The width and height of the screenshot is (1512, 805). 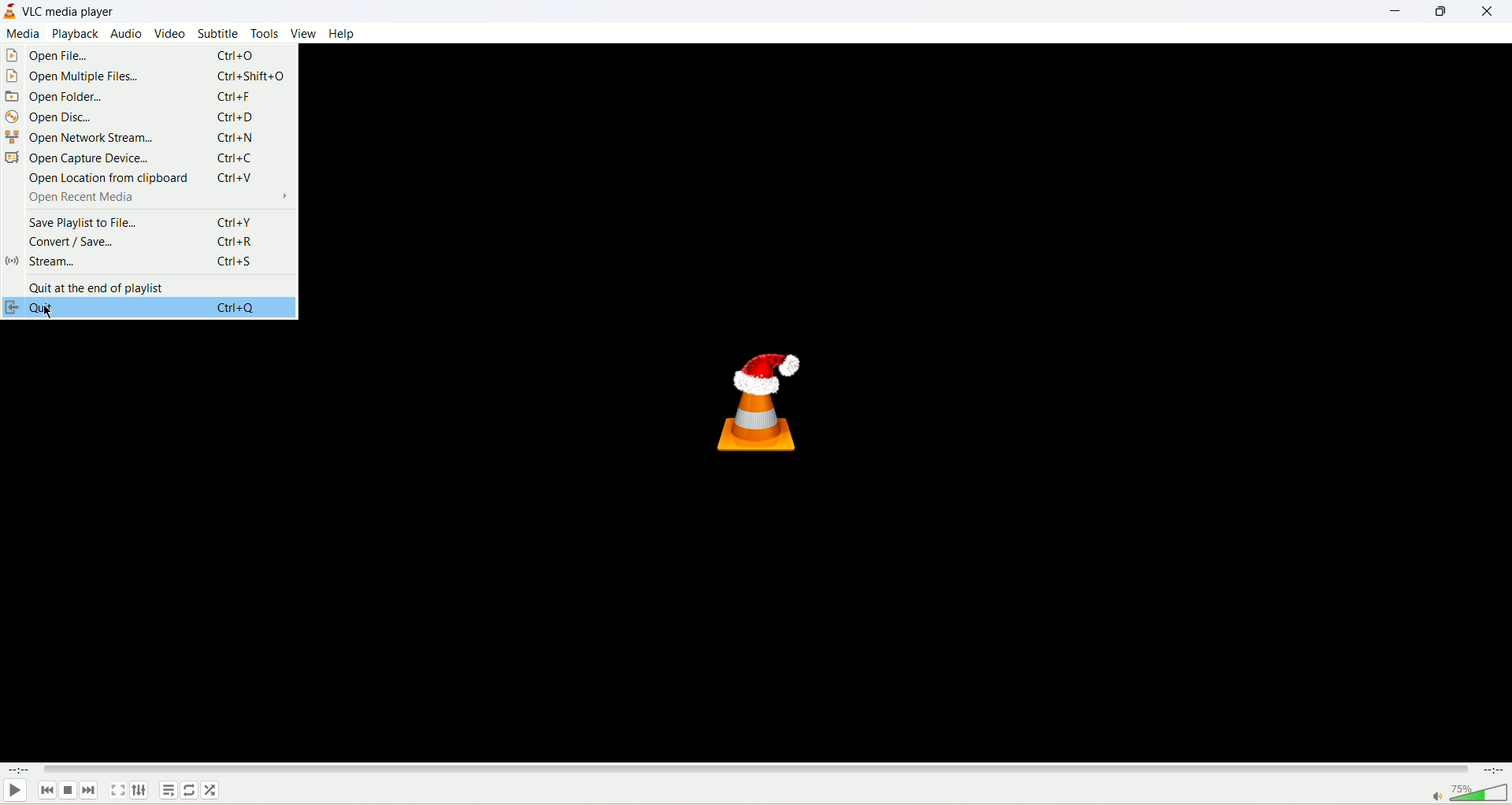 I want to click on convert/save, so click(x=143, y=242).